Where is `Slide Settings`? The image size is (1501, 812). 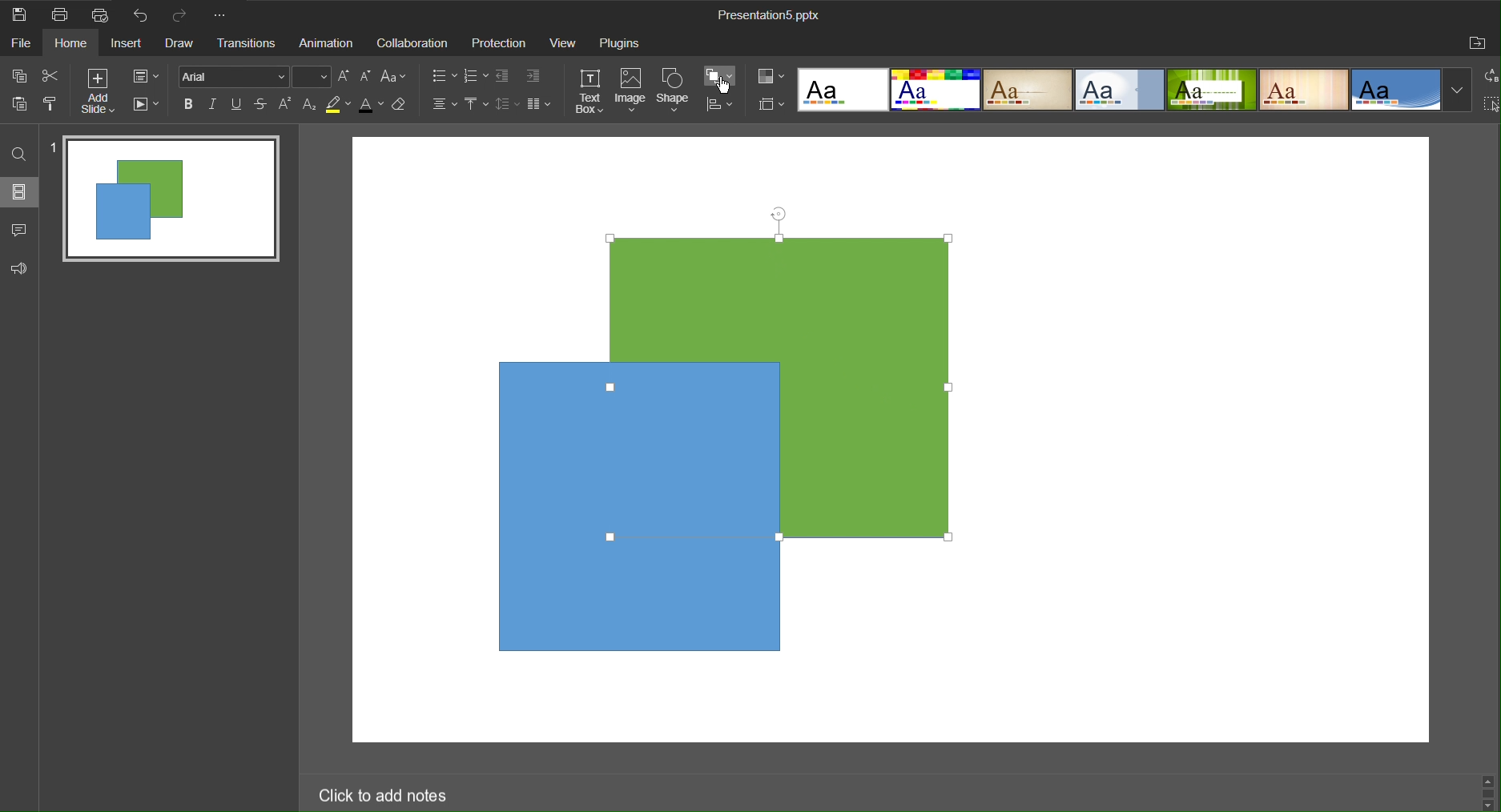 Slide Settings is located at coordinates (145, 78).